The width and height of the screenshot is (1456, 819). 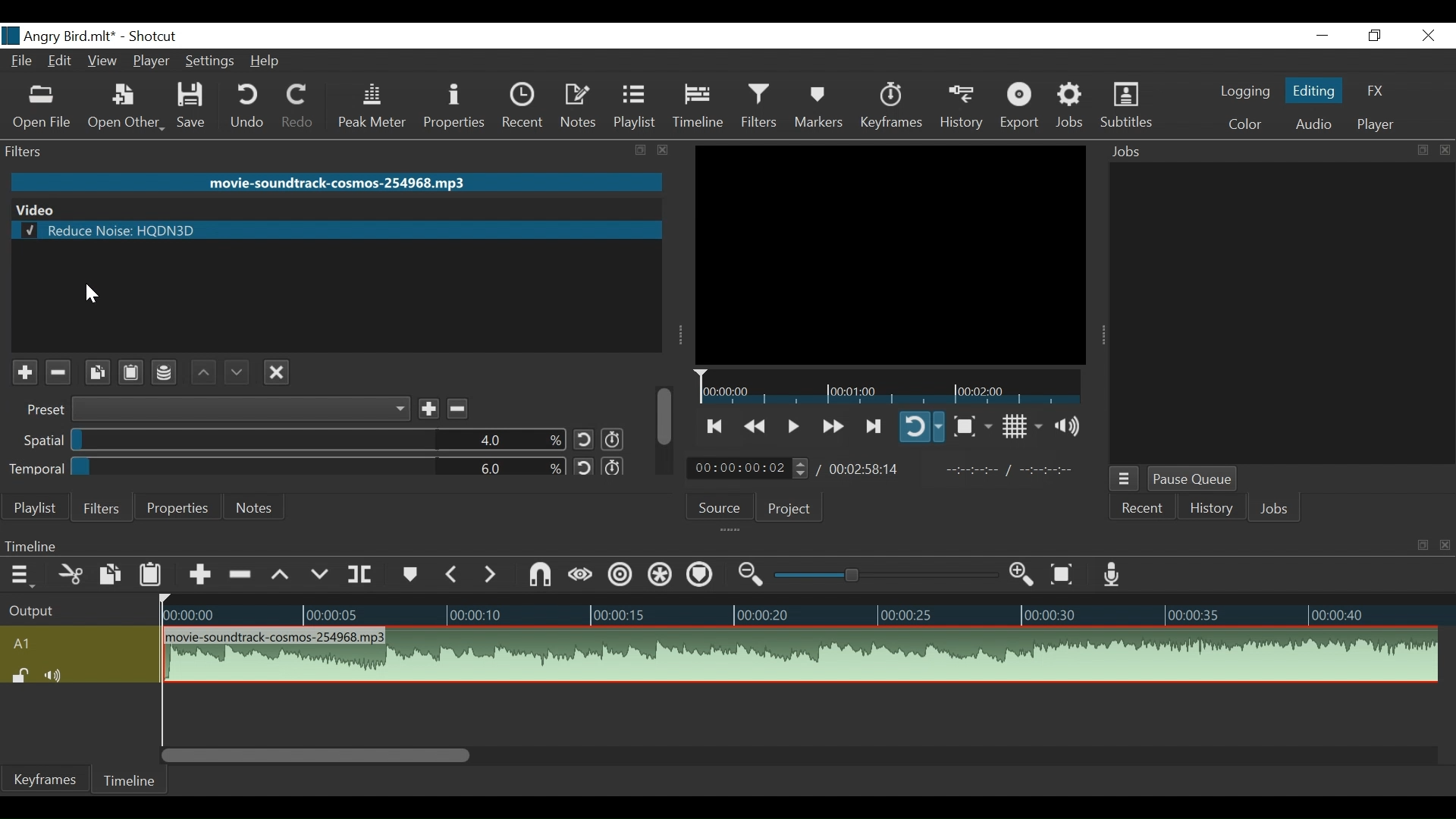 I want to click on Split at playhead, so click(x=361, y=573).